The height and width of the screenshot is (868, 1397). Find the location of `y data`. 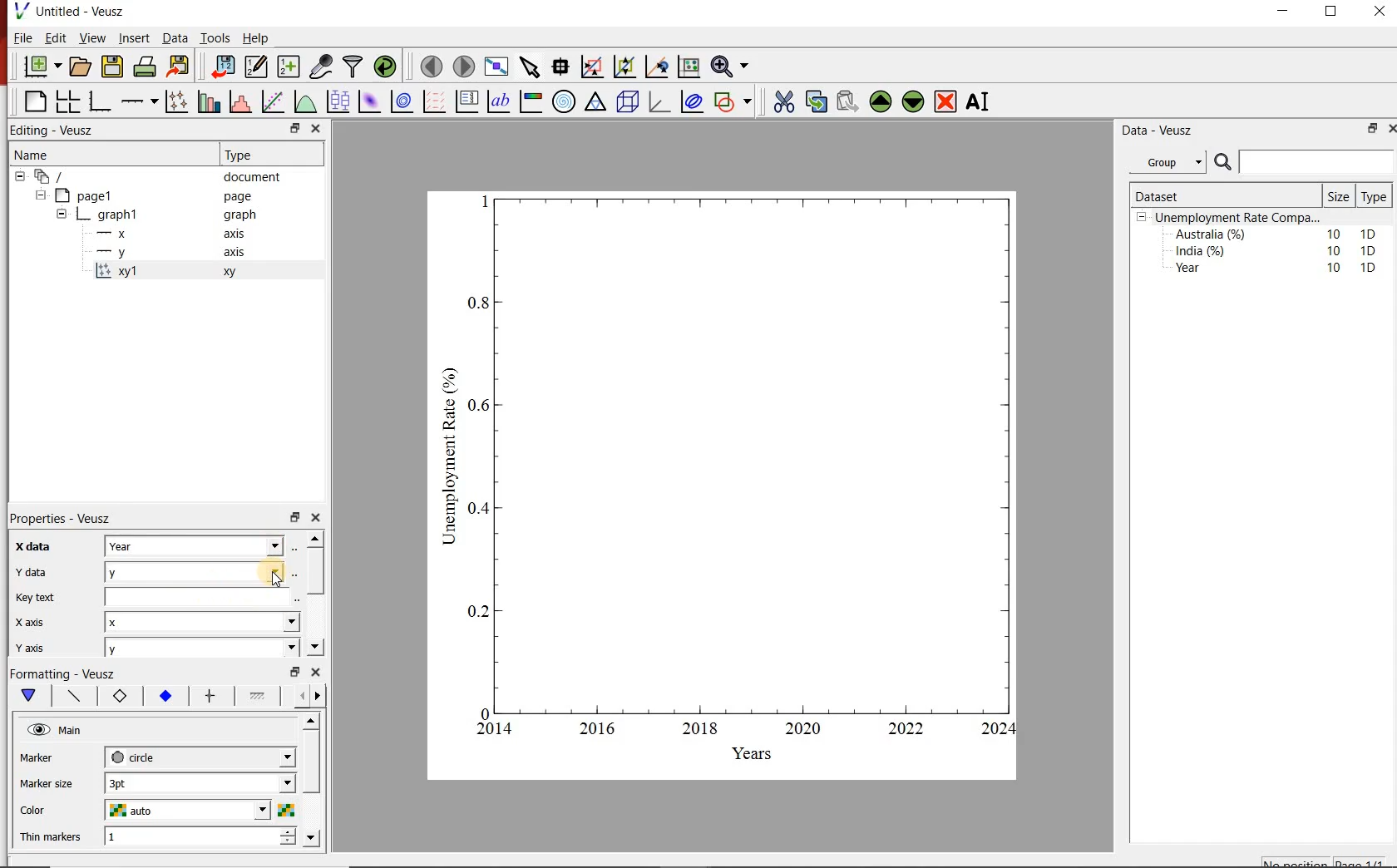

y data is located at coordinates (36, 572).